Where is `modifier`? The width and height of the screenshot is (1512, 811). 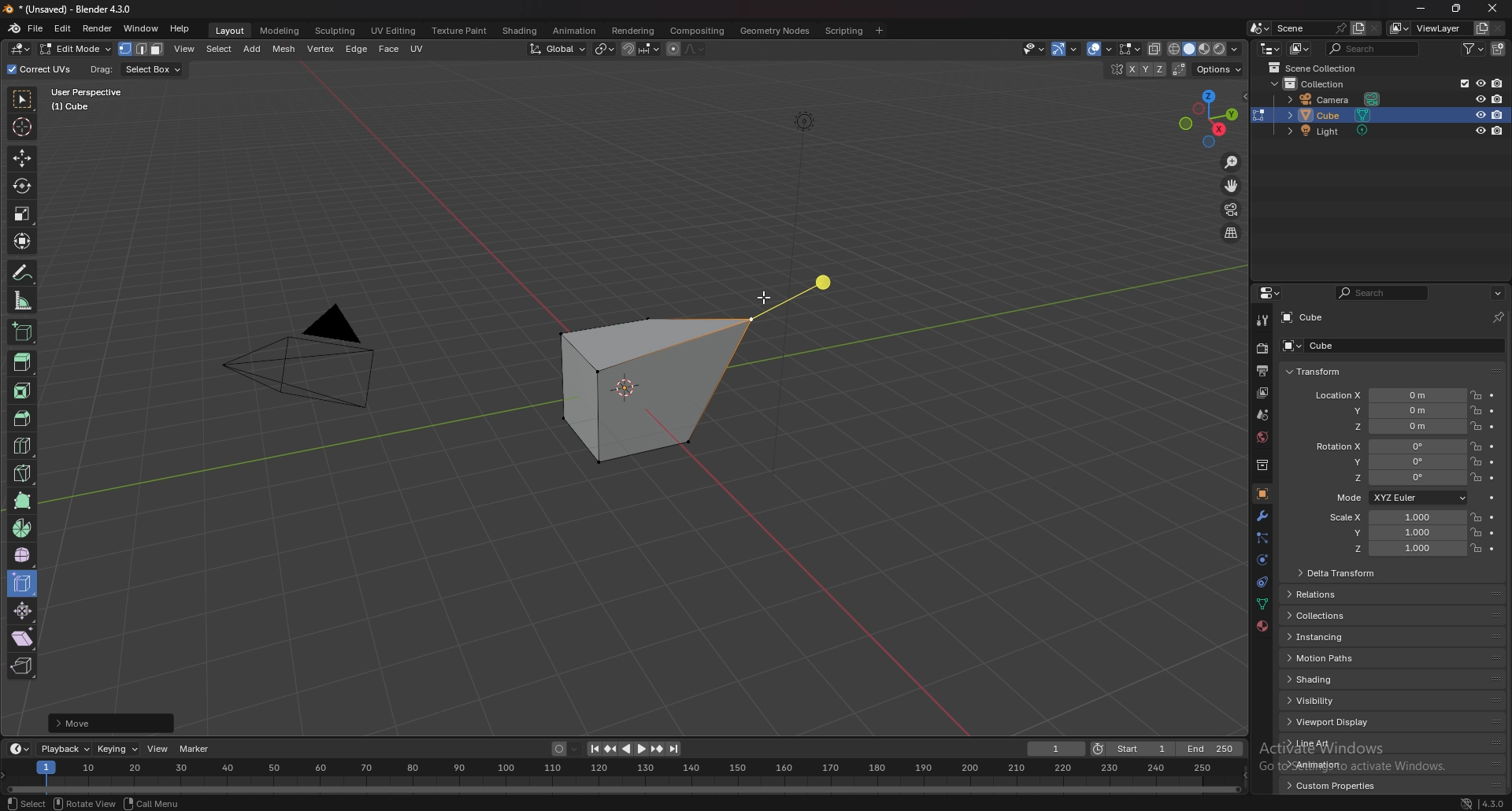 modifier is located at coordinates (1264, 515).